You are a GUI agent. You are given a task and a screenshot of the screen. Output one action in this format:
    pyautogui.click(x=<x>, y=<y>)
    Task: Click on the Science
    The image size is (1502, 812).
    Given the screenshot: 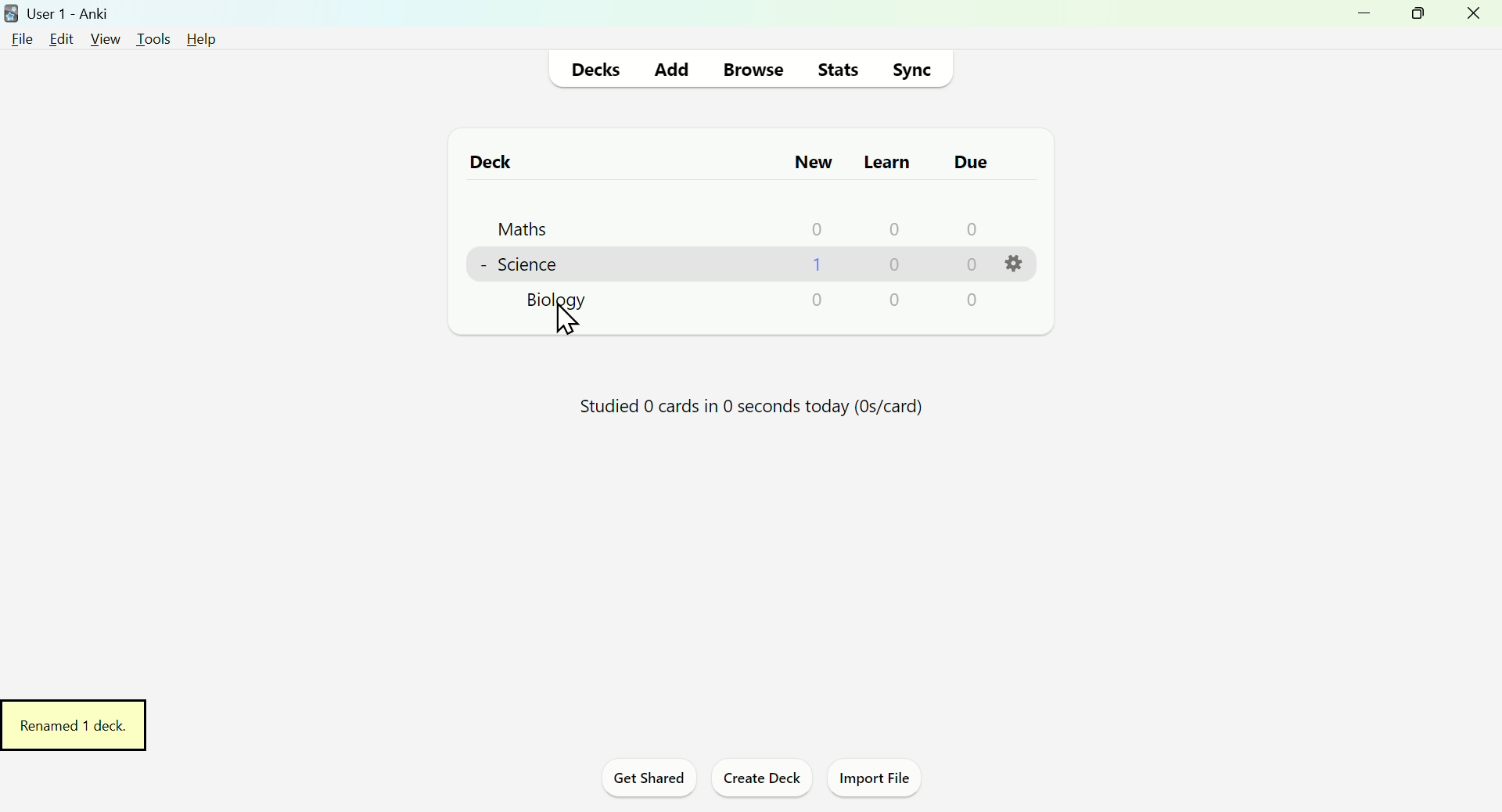 What is the action you would take?
    pyautogui.click(x=522, y=263)
    